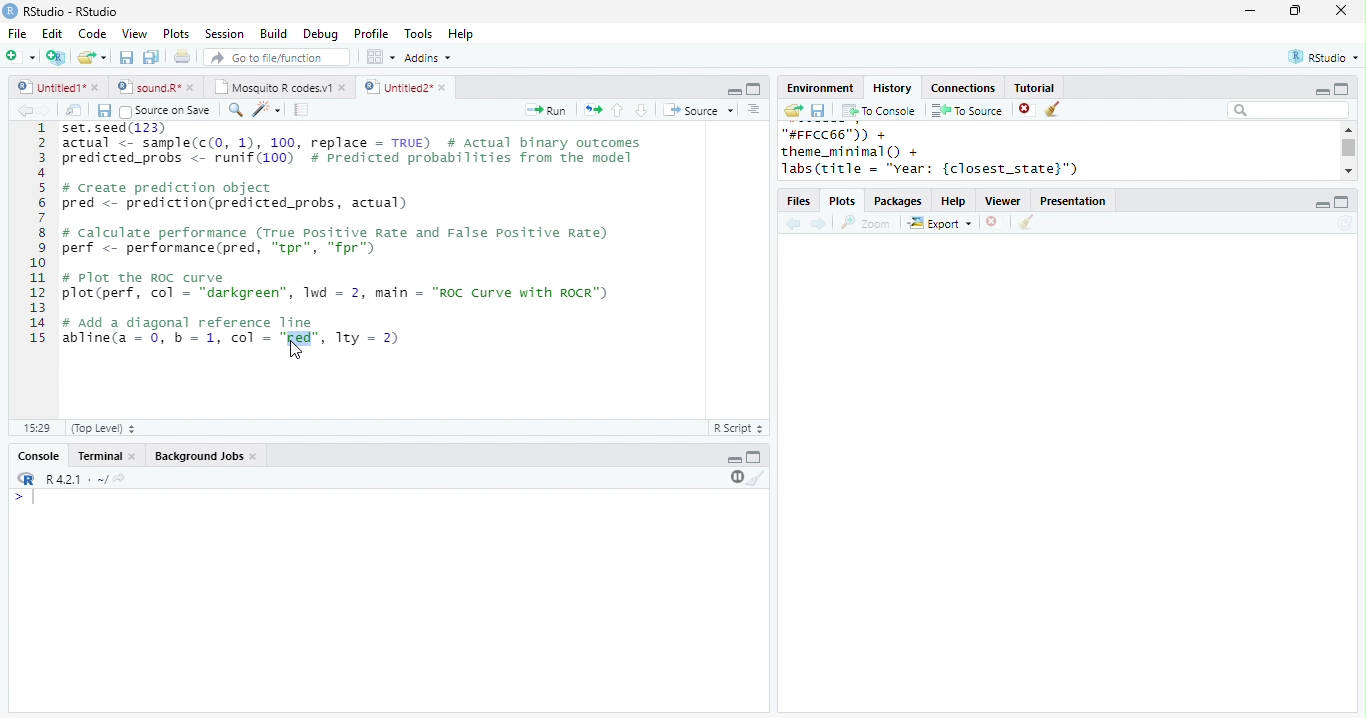 The height and width of the screenshot is (718, 1366). Describe the element at coordinates (104, 111) in the screenshot. I see `save` at that location.